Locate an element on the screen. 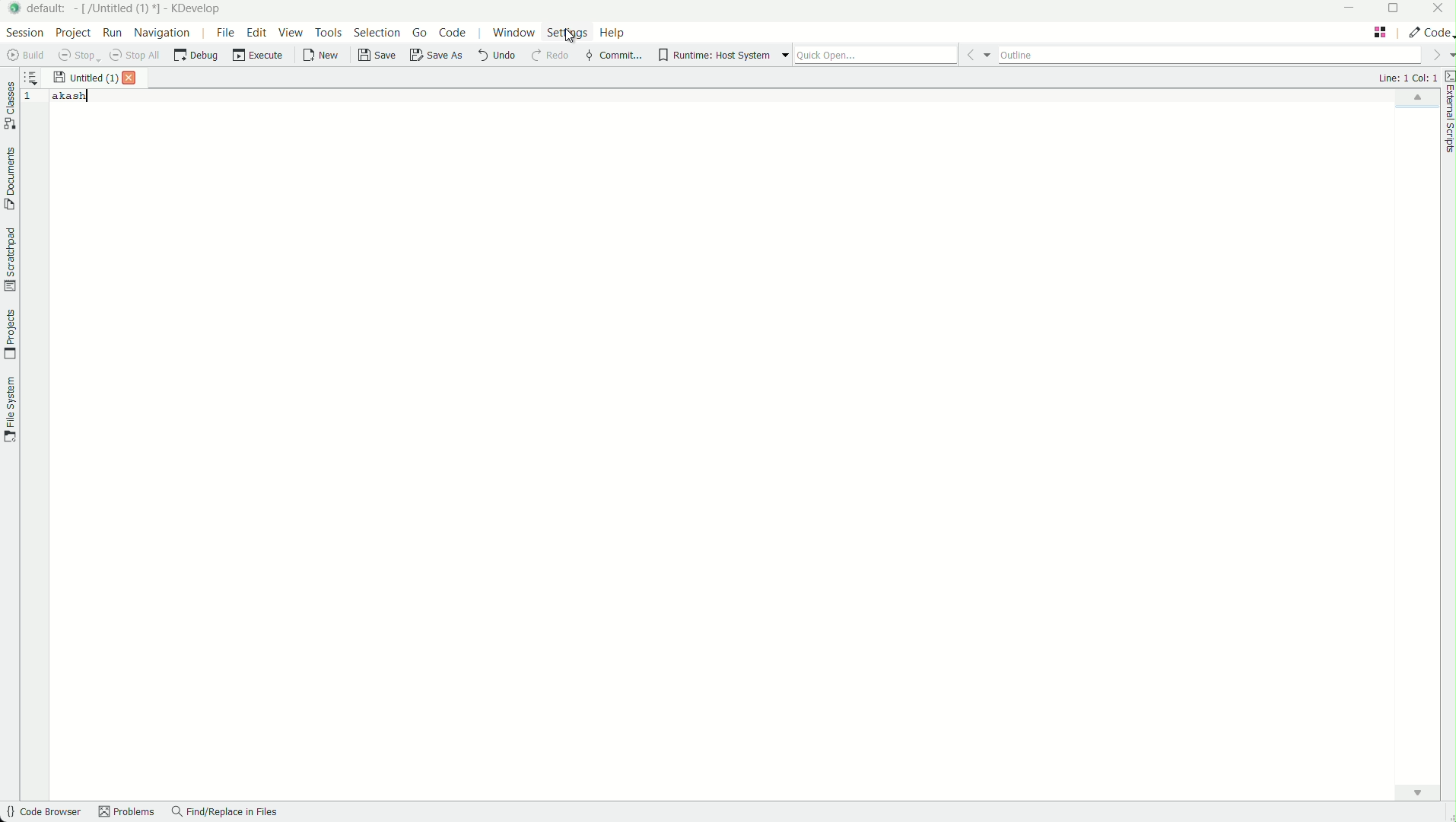 The height and width of the screenshot is (822, 1456). documents is located at coordinates (9, 179).